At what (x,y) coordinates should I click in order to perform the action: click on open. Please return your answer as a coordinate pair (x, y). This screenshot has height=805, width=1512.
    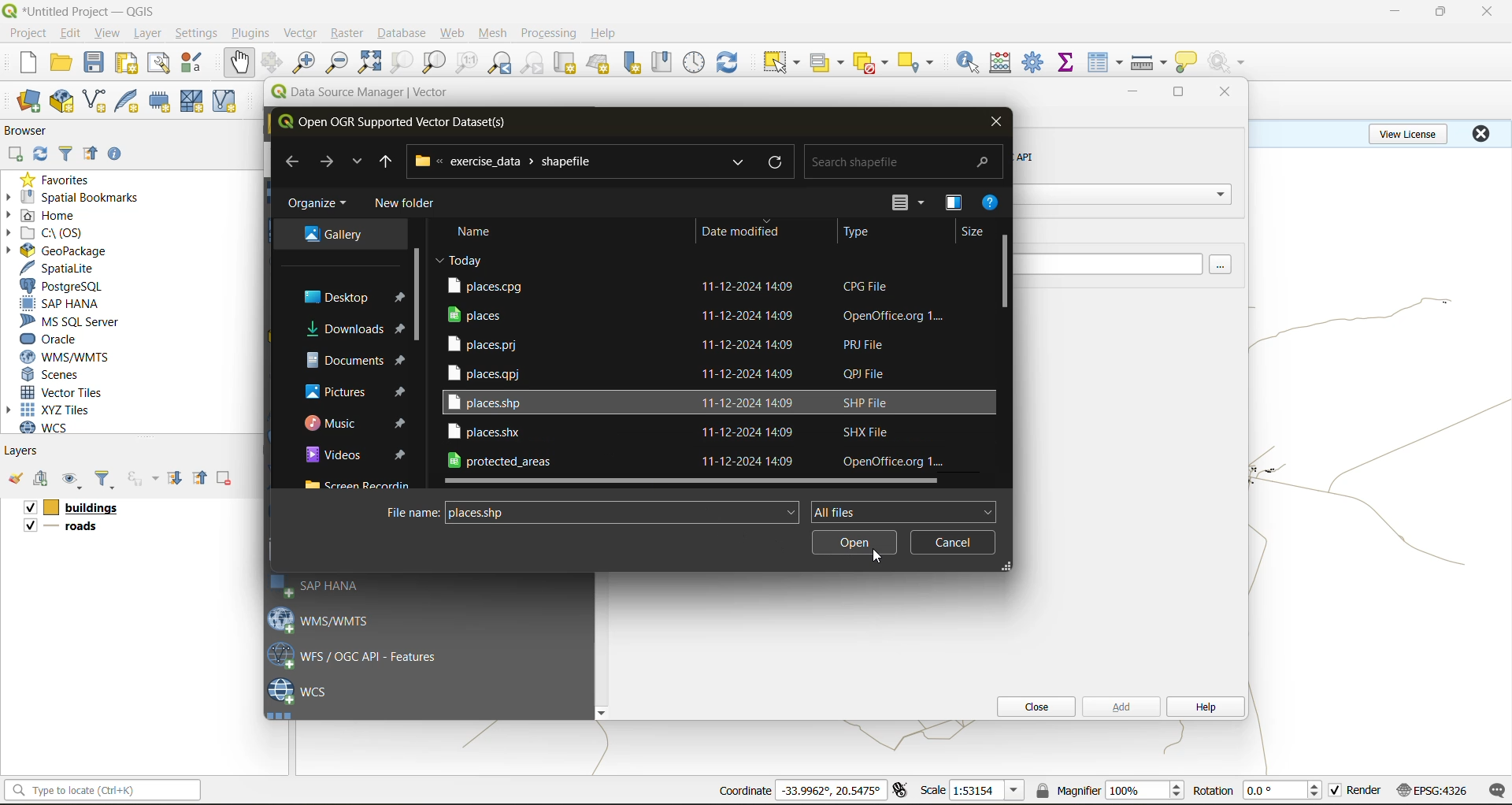
    Looking at the image, I should click on (61, 63).